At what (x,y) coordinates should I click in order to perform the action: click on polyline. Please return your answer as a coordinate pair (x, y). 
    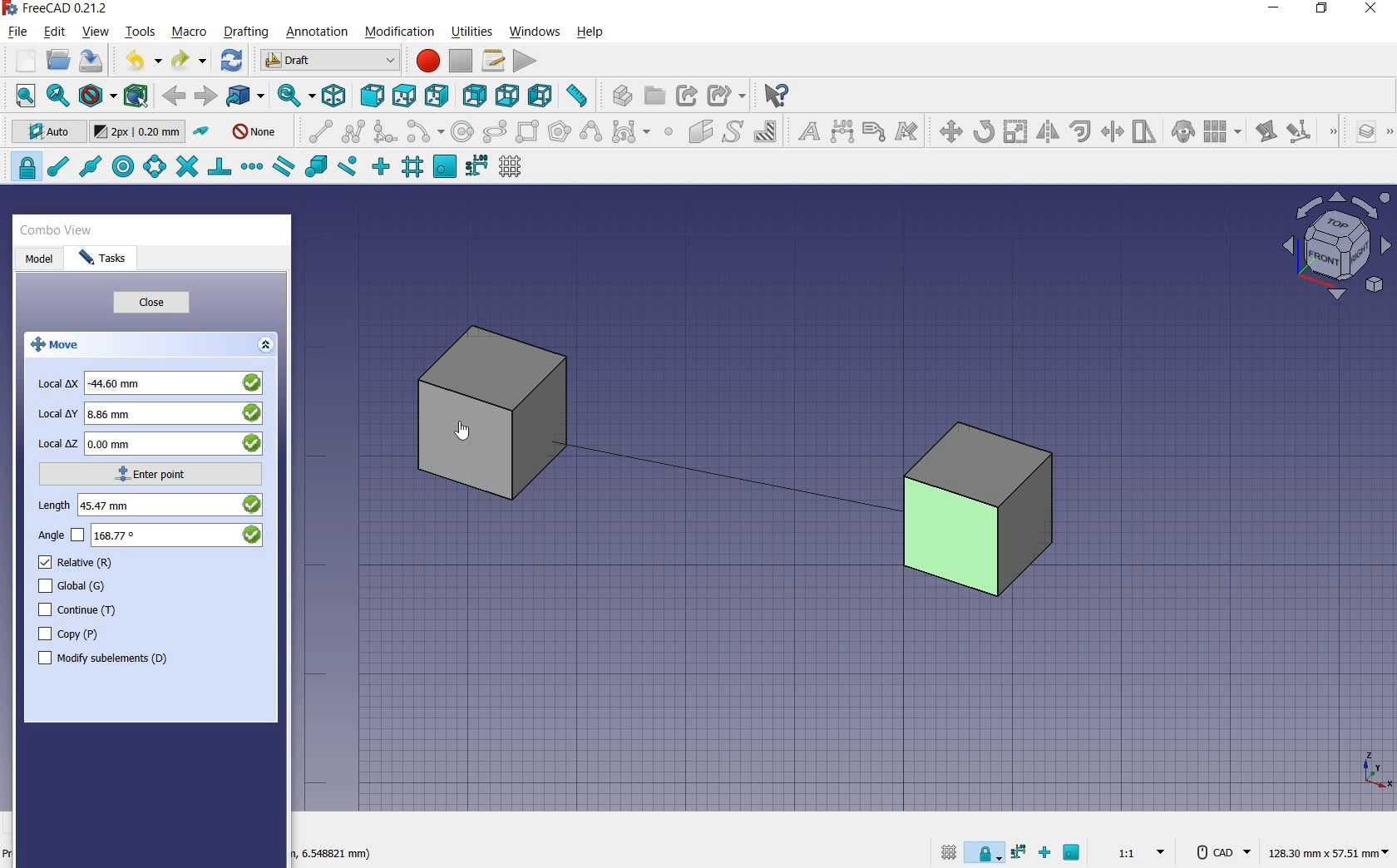
    Looking at the image, I should click on (354, 132).